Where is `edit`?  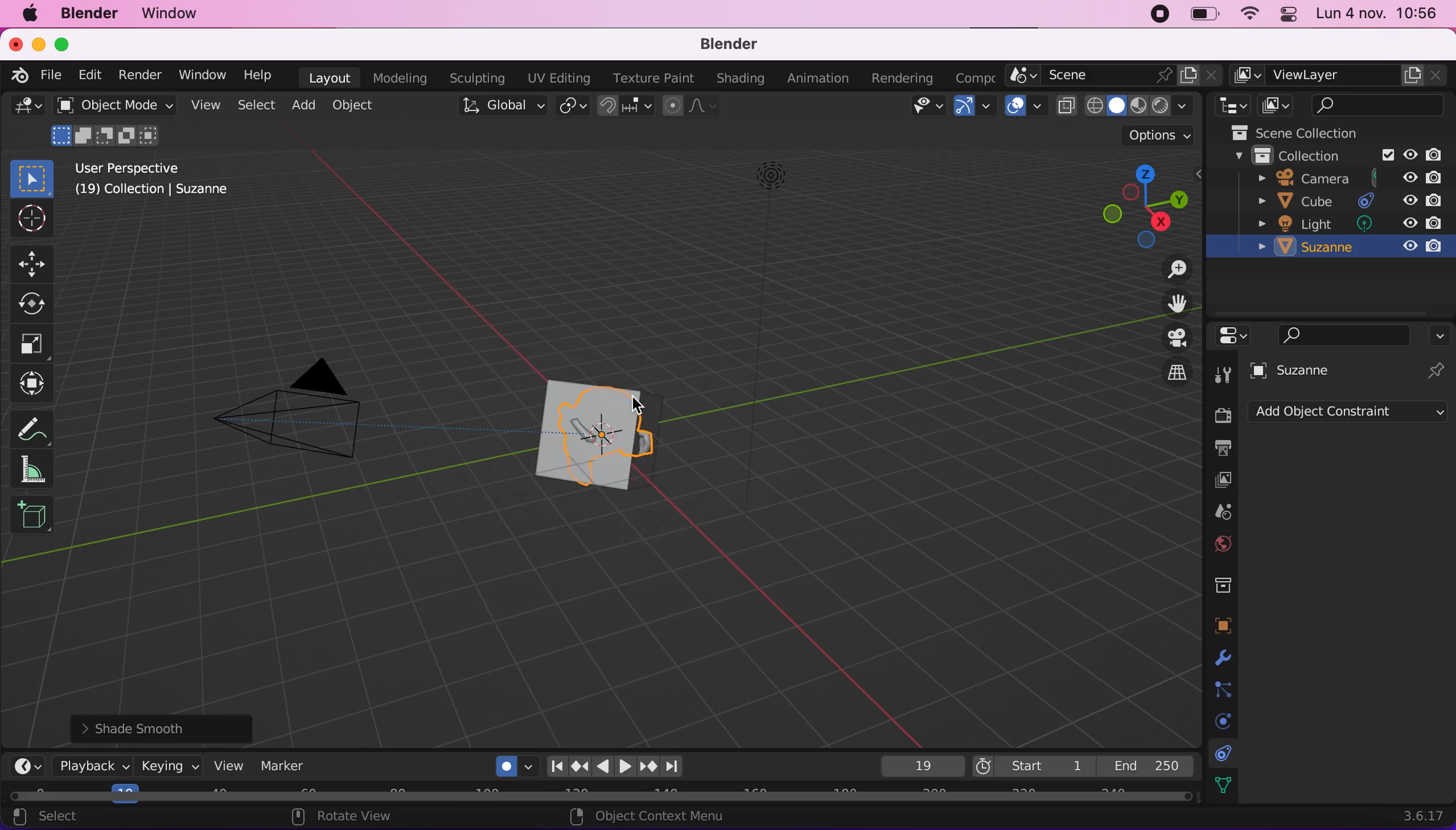 edit is located at coordinates (90, 75).